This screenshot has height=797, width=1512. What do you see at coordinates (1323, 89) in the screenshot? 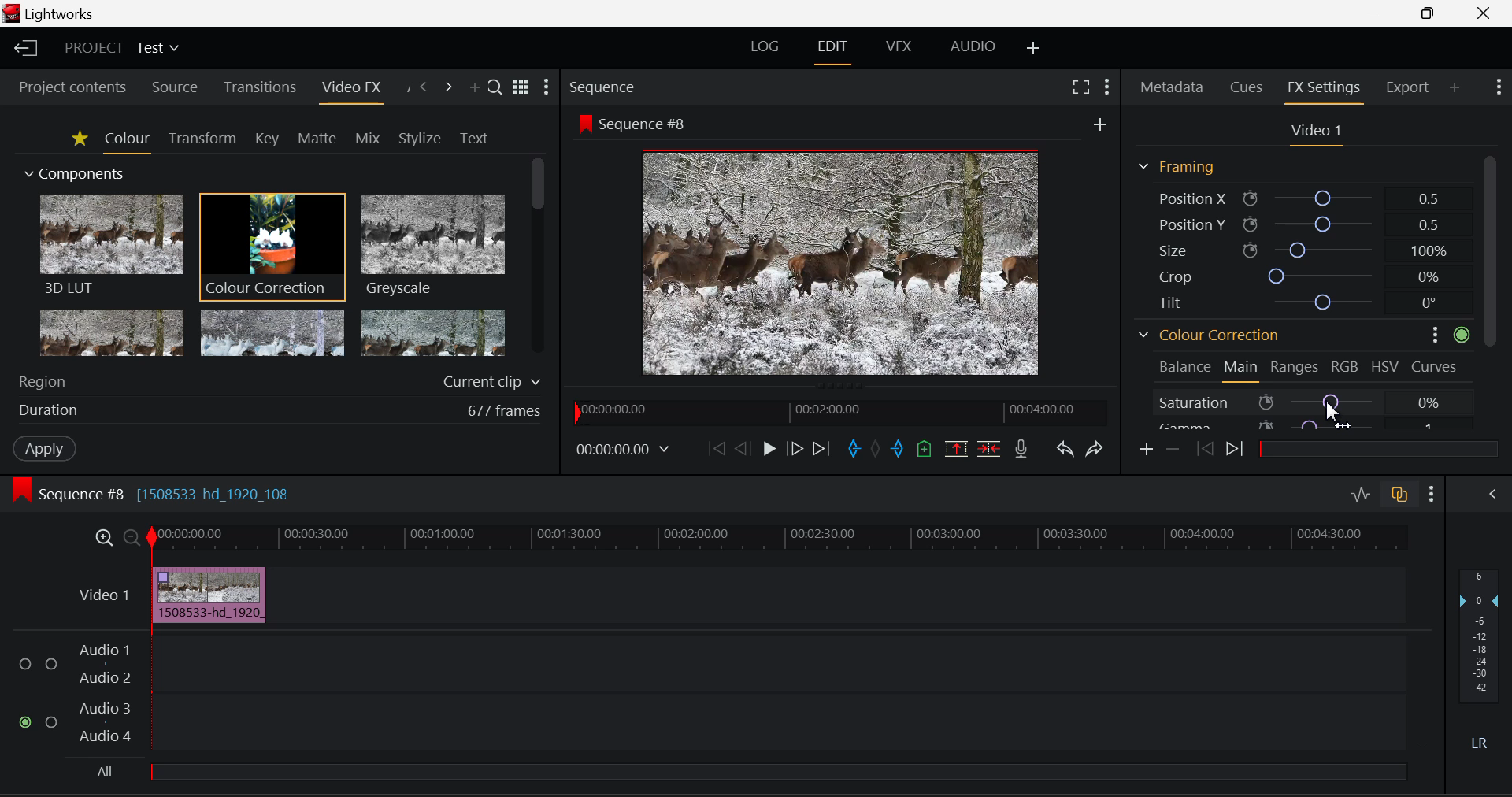
I see `FX Settings Open` at bounding box center [1323, 89].